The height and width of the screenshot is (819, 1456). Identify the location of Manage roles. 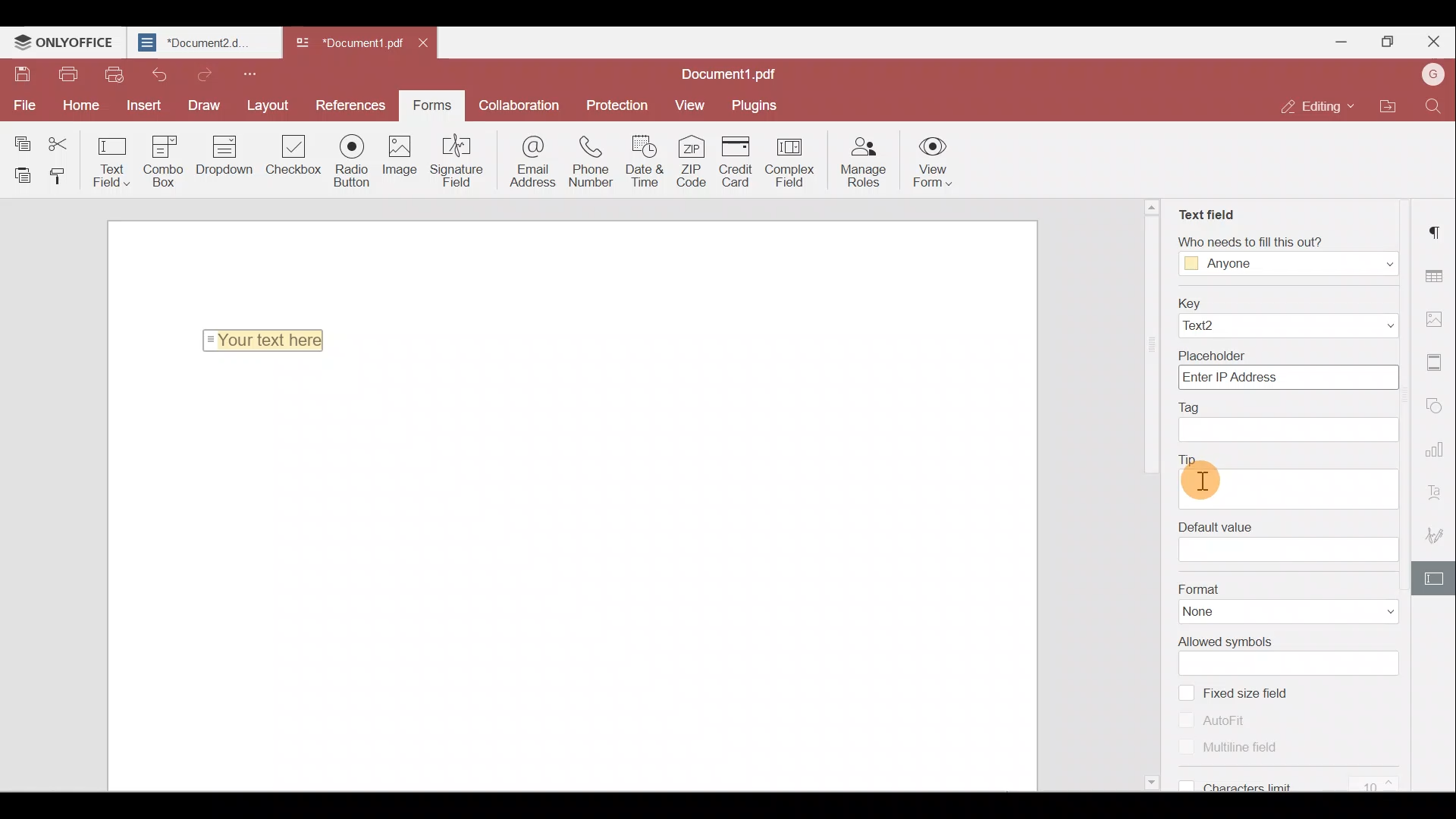
(868, 163).